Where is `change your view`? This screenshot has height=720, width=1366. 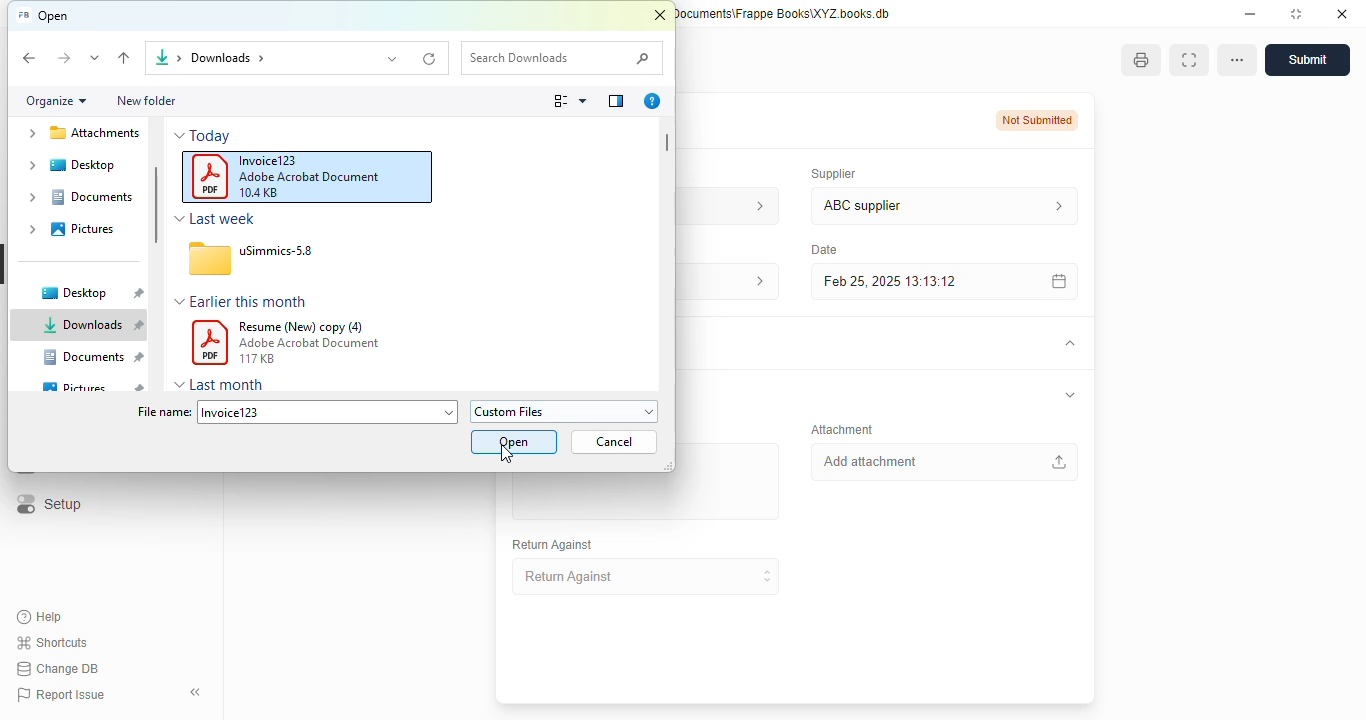 change your view is located at coordinates (571, 101).